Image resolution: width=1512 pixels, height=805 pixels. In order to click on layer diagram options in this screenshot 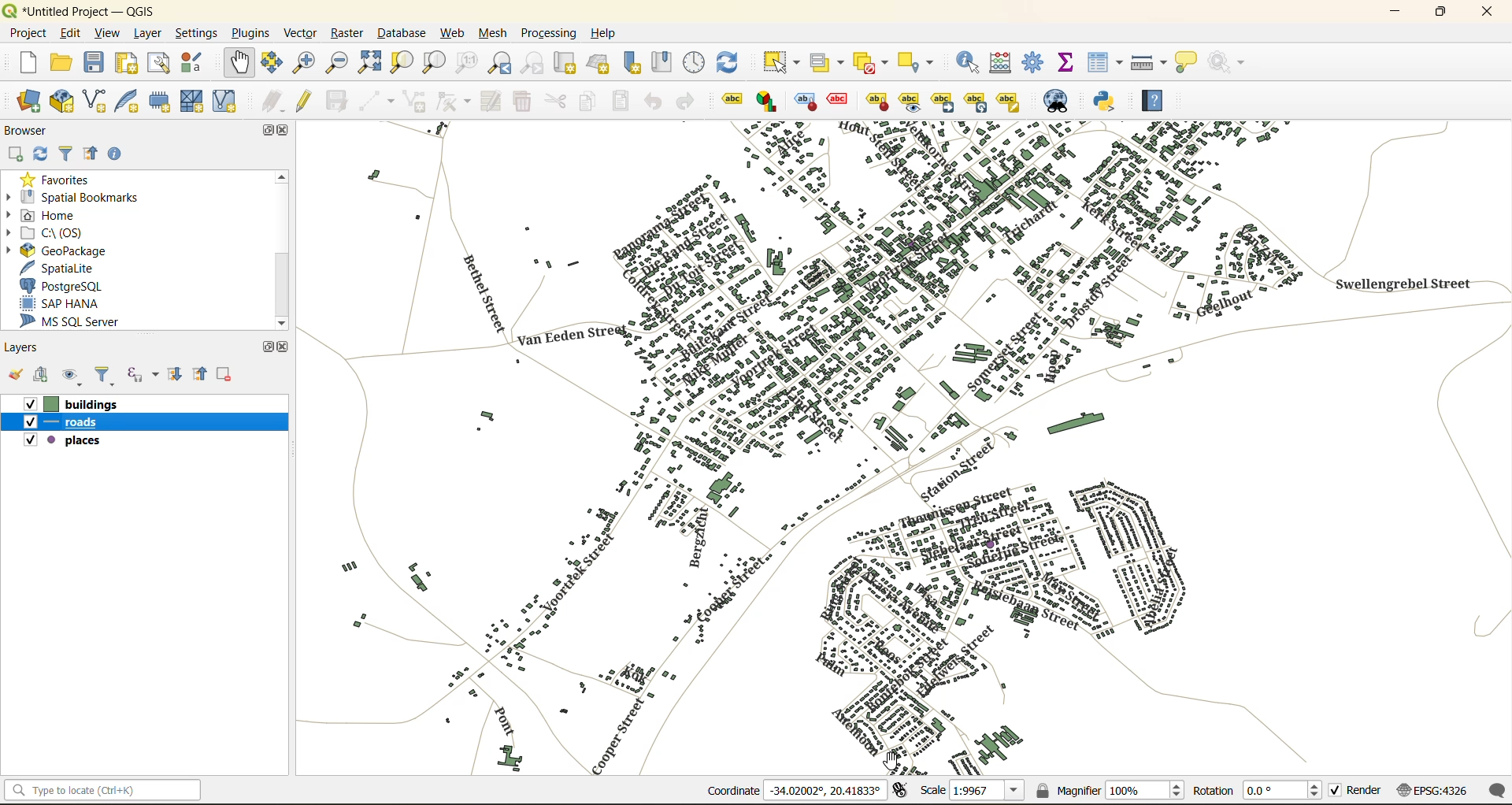, I will do `click(768, 101)`.